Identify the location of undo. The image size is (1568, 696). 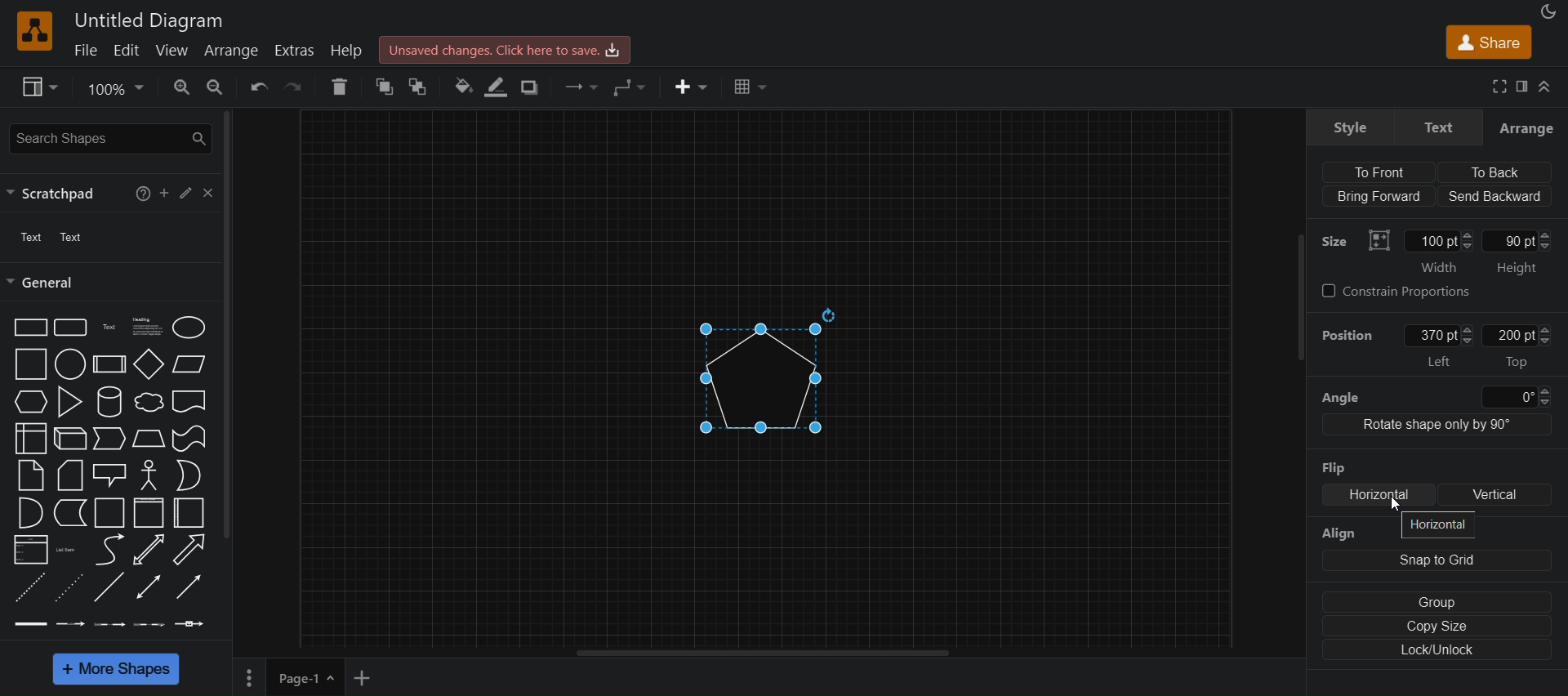
(256, 89).